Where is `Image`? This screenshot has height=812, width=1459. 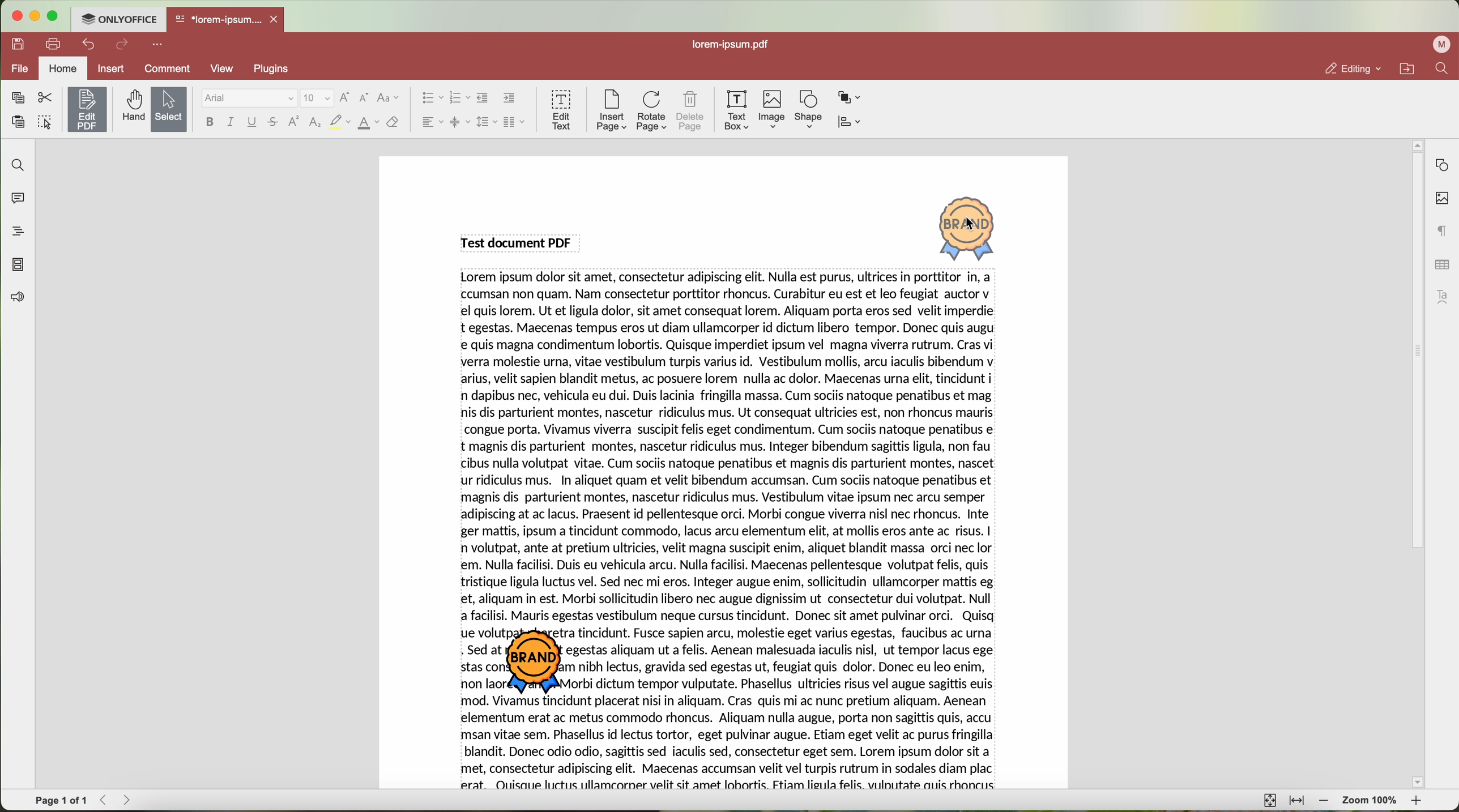 Image is located at coordinates (540, 663).